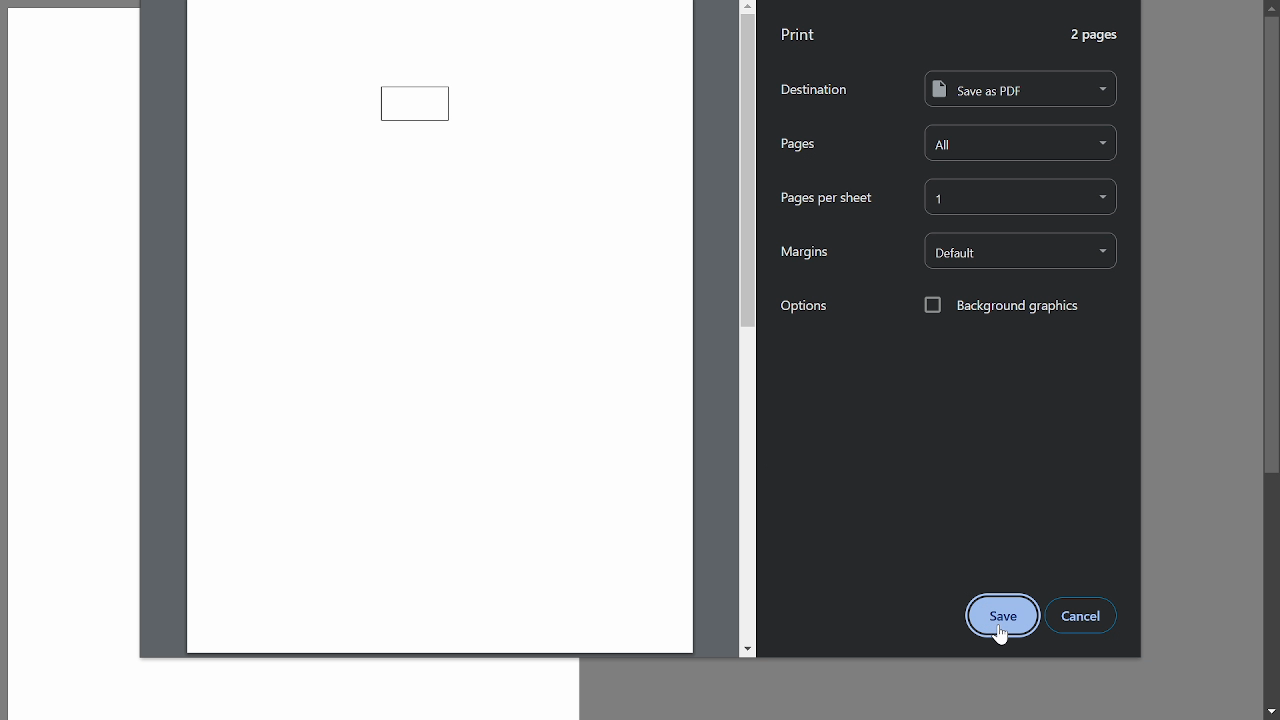 This screenshot has height=720, width=1280. What do you see at coordinates (746, 332) in the screenshot?
I see `scroll bar` at bounding box center [746, 332].